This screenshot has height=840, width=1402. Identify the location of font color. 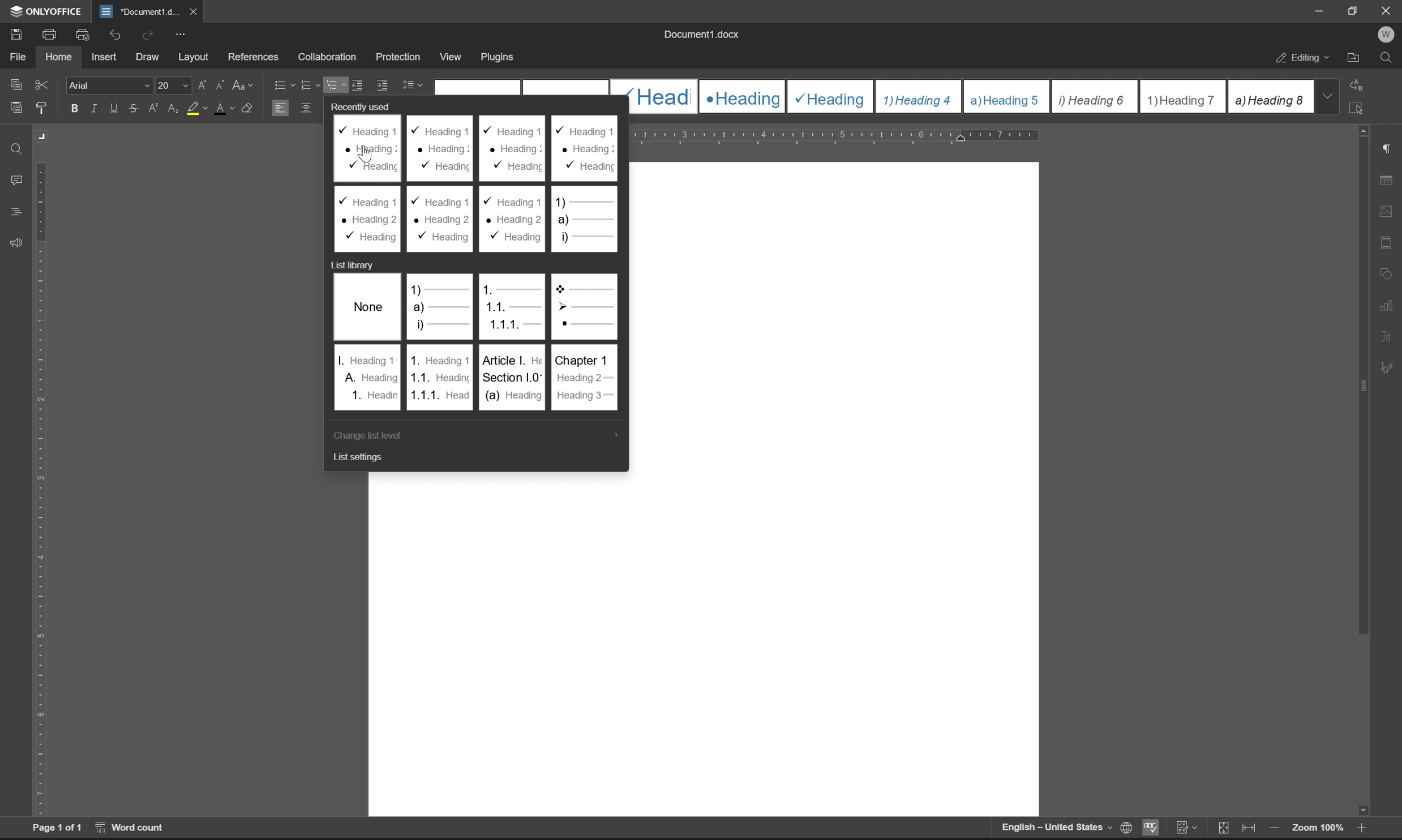
(225, 108).